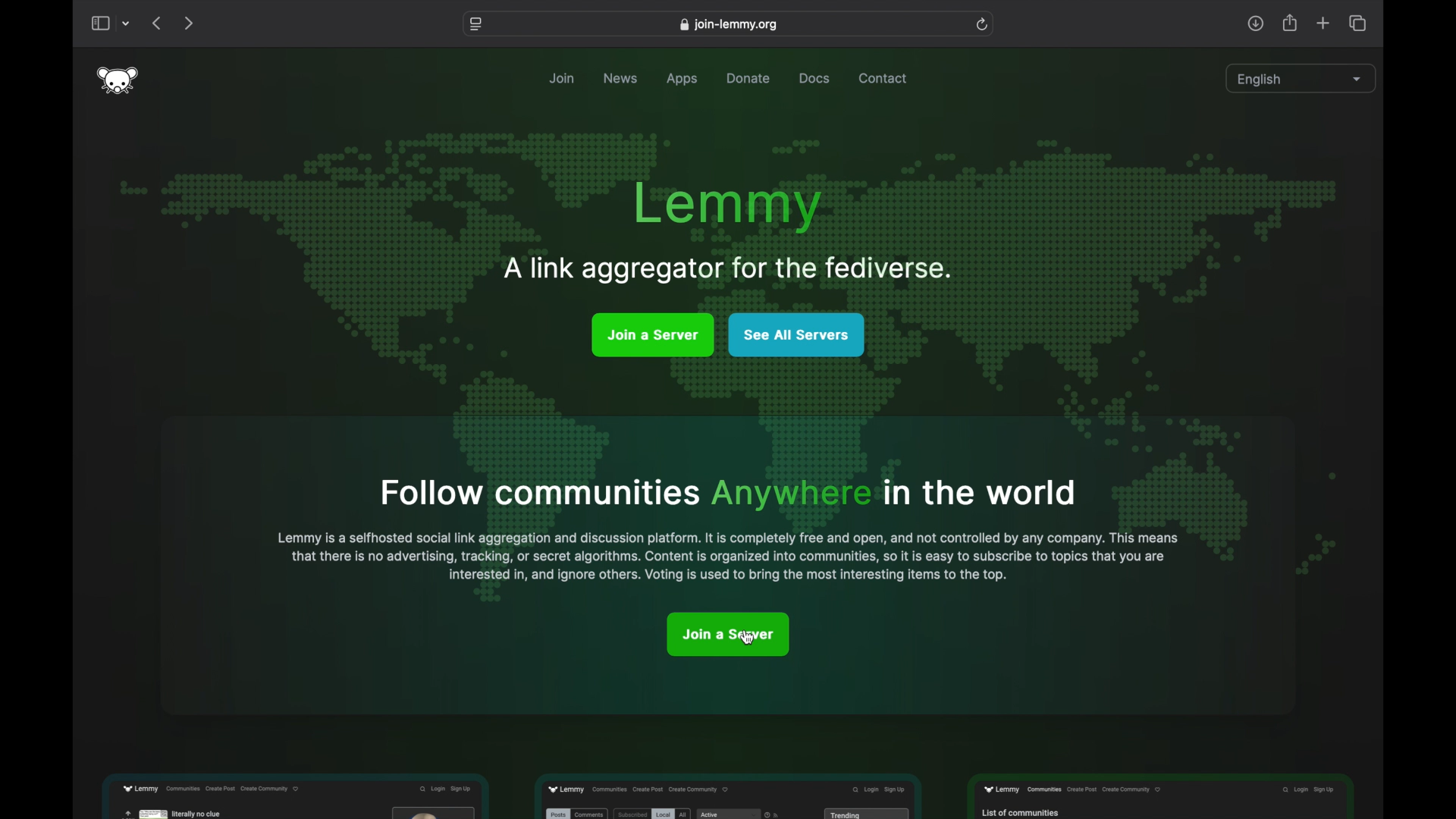 The image size is (1456, 819). What do you see at coordinates (1160, 792) in the screenshot?
I see `feature preview` at bounding box center [1160, 792].